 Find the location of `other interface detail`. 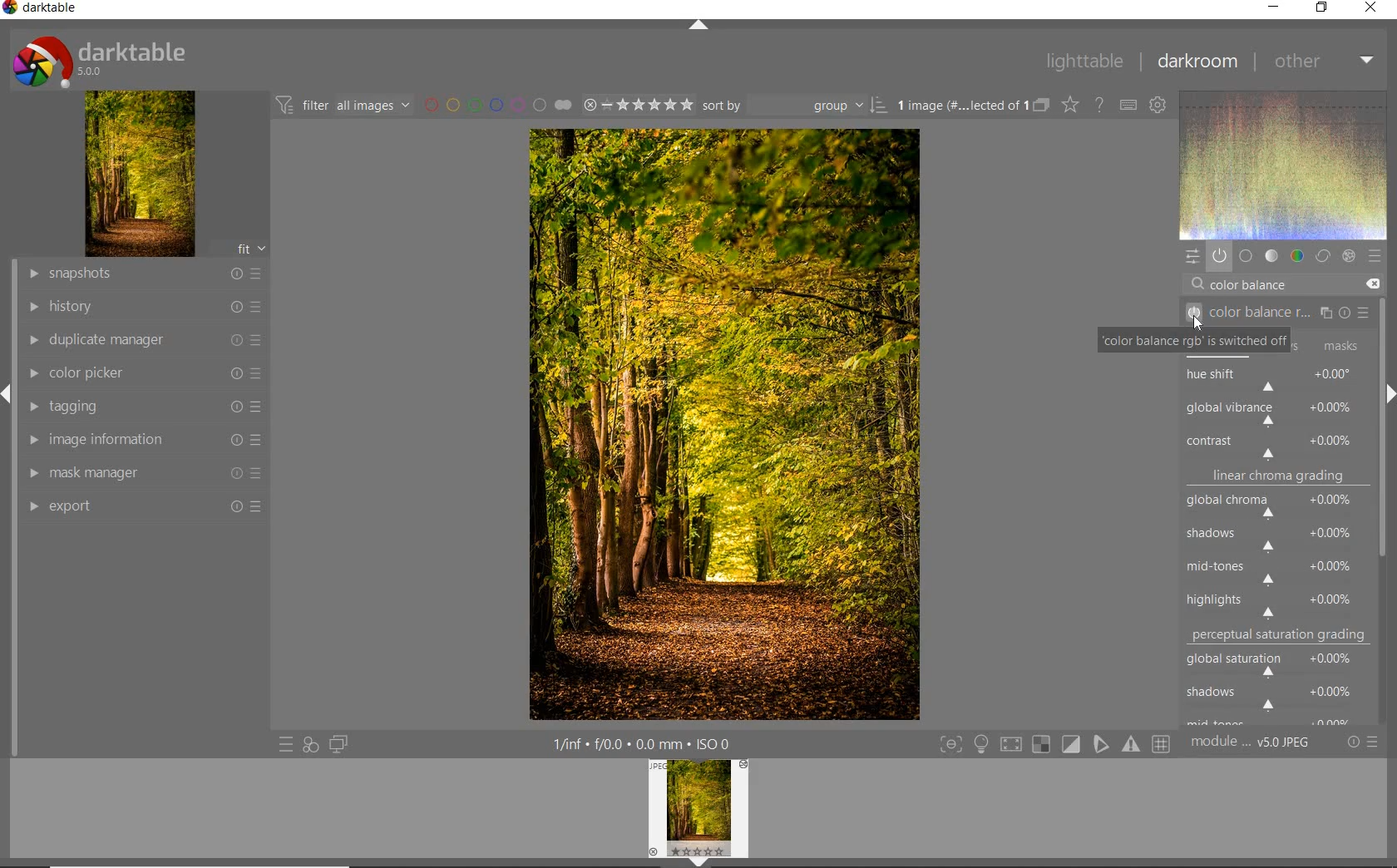

other interface detail is located at coordinates (644, 744).